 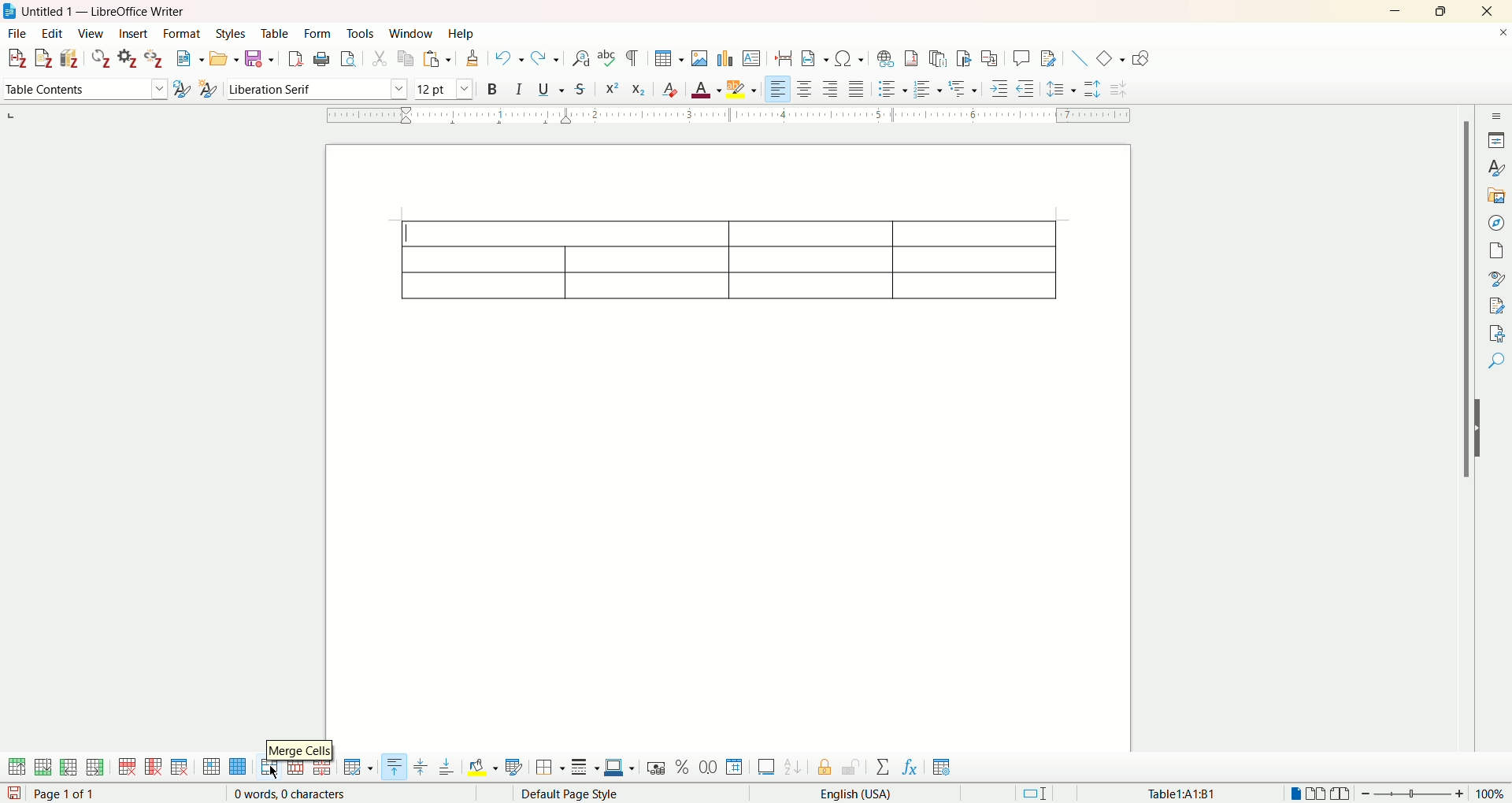 What do you see at coordinates (452, 768) in the screenshot?
I see `align bottom` at bounding box center [452, 768].